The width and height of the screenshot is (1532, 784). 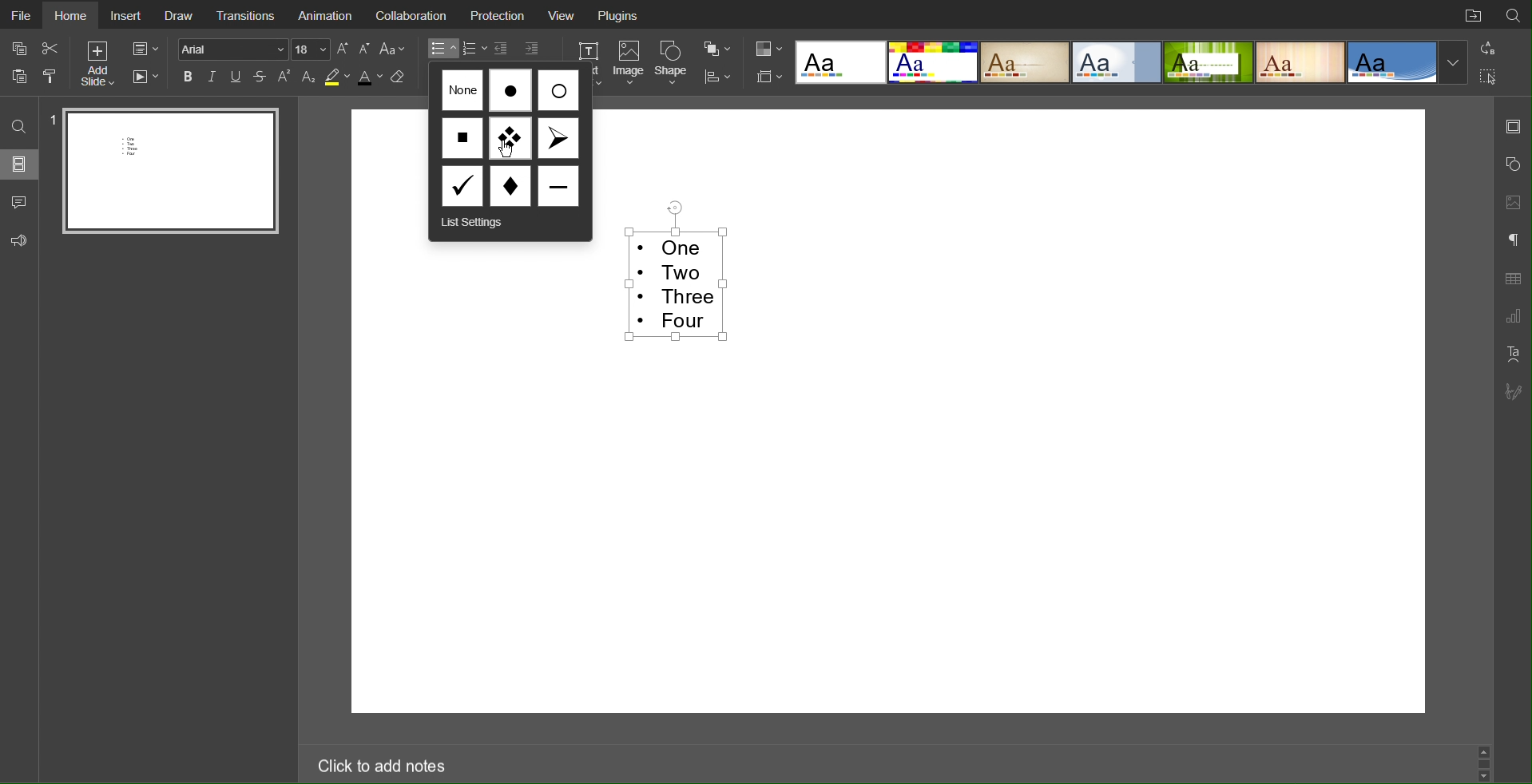 What do you see at coordinates (338, 77) in the screenshot?
I see `Highlight` at bounding box center [338, 77].